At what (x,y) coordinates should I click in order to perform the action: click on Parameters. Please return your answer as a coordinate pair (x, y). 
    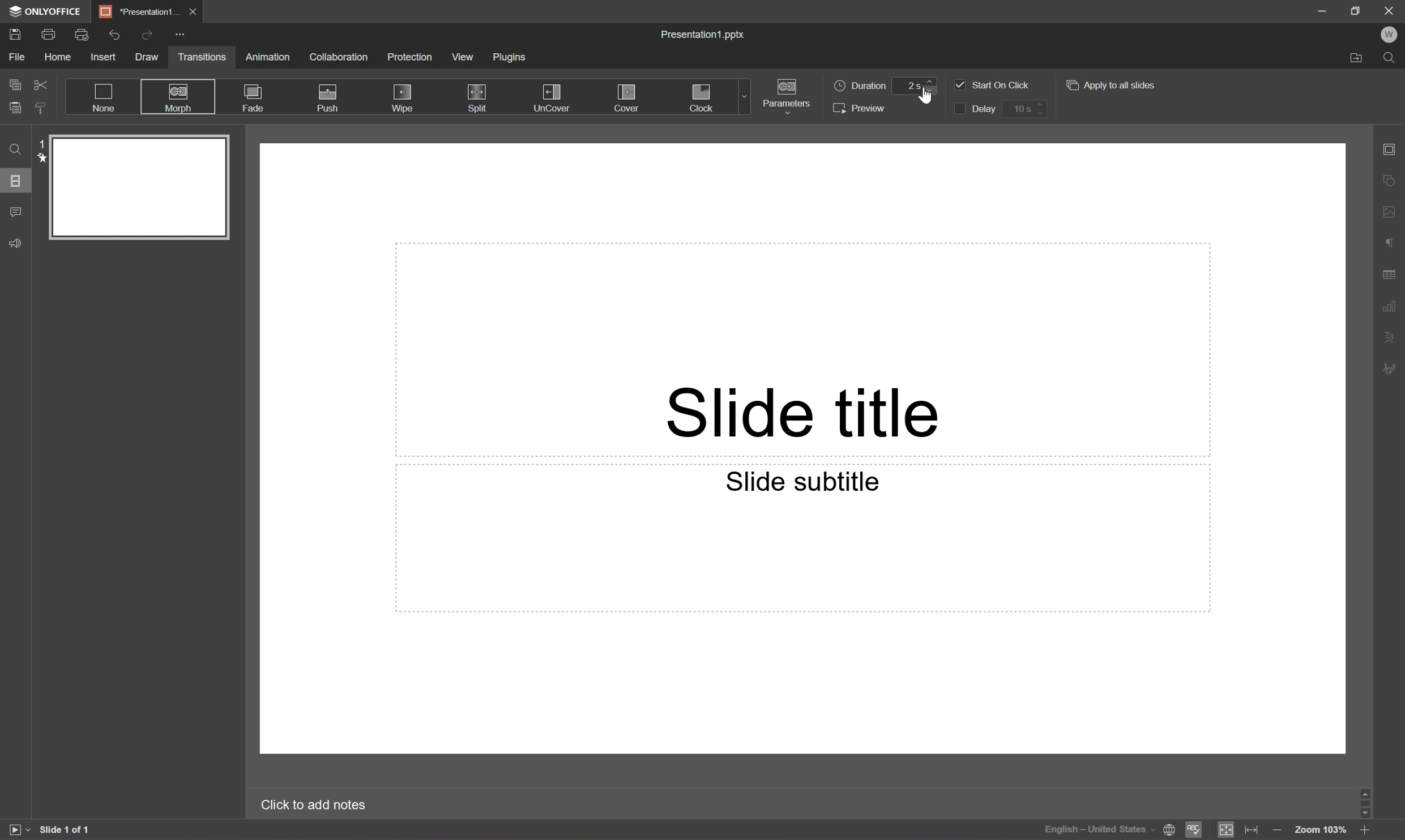
    Looking at the image, I should click on (787, 93).